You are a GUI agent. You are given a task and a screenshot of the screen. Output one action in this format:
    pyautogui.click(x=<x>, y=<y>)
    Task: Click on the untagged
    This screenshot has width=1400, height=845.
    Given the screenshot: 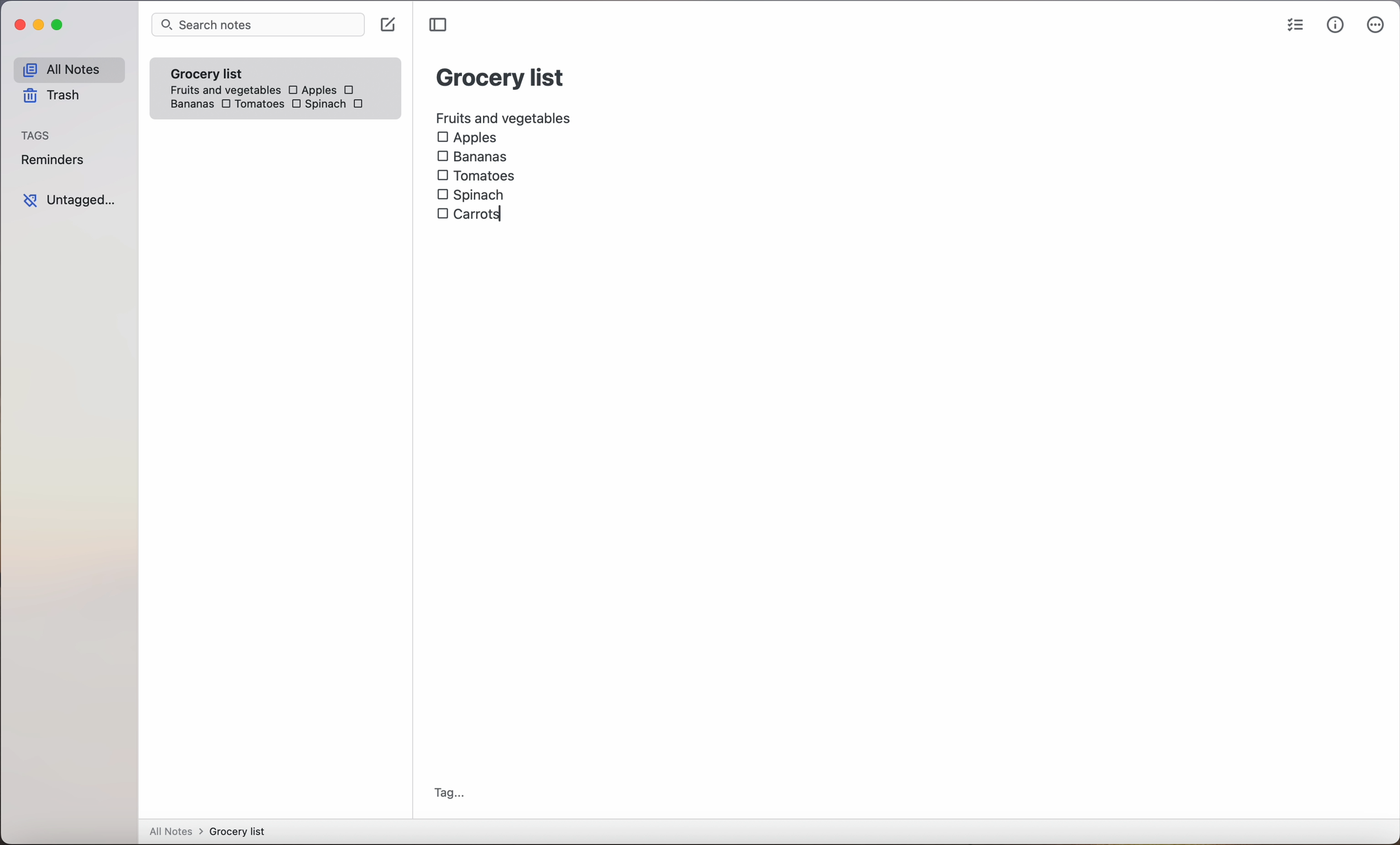 What is the action you would take?
    pyautogui.click(x=69, y=200)
    